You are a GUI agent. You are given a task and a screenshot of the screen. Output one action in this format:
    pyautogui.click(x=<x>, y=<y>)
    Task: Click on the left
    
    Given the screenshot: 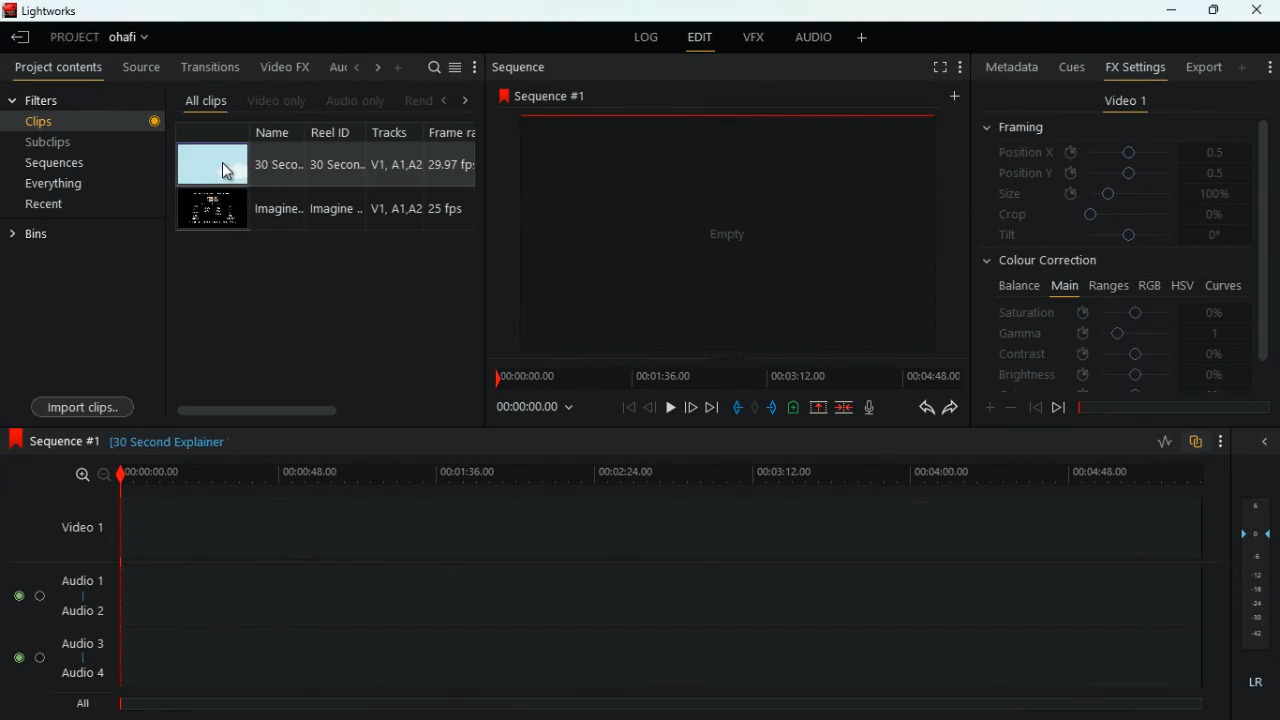 What is the action you would take?
    pyautogui.click(x=354, y=68)
    